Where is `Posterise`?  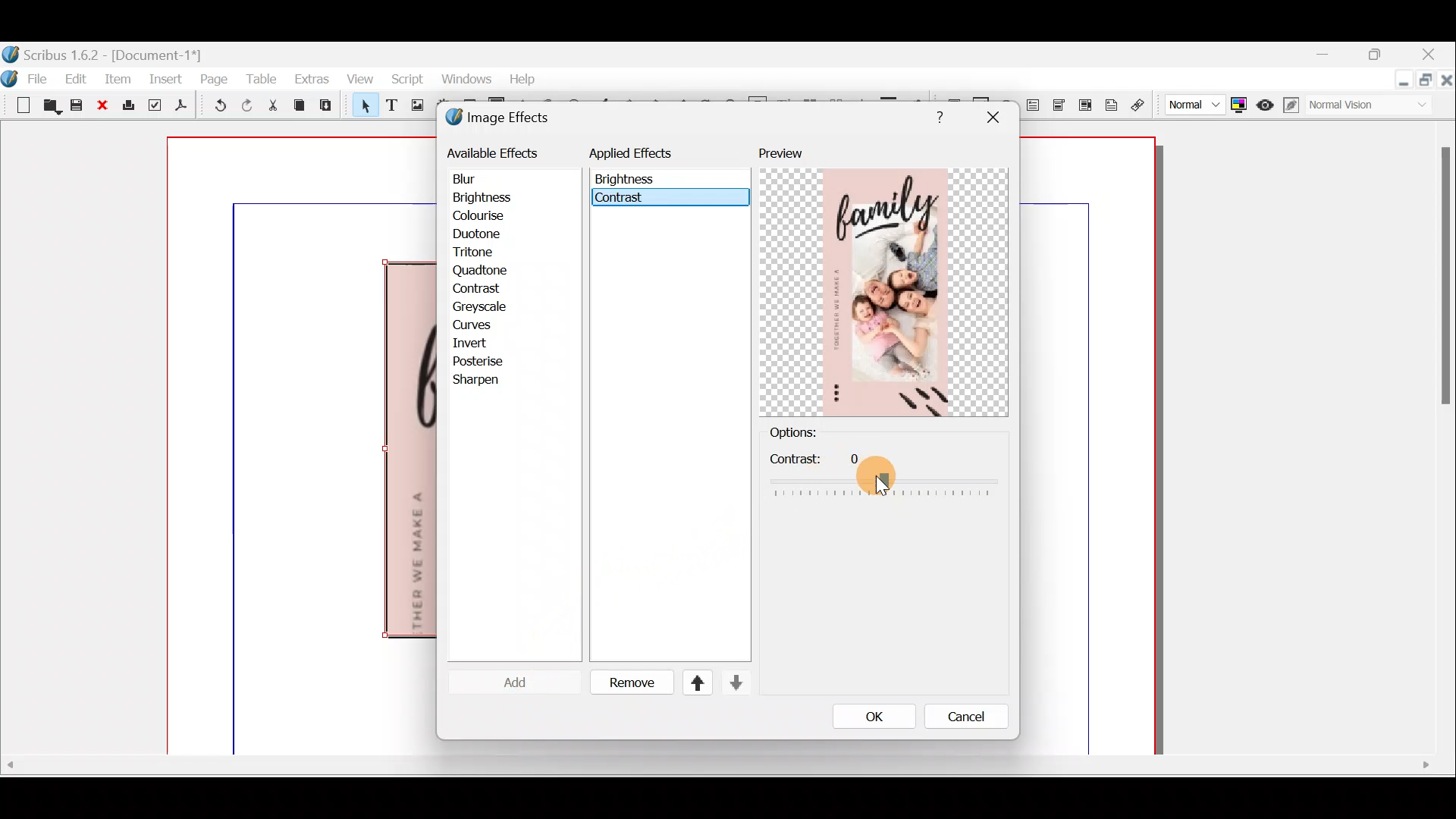
Posterise is located at coordinates (488, 361).